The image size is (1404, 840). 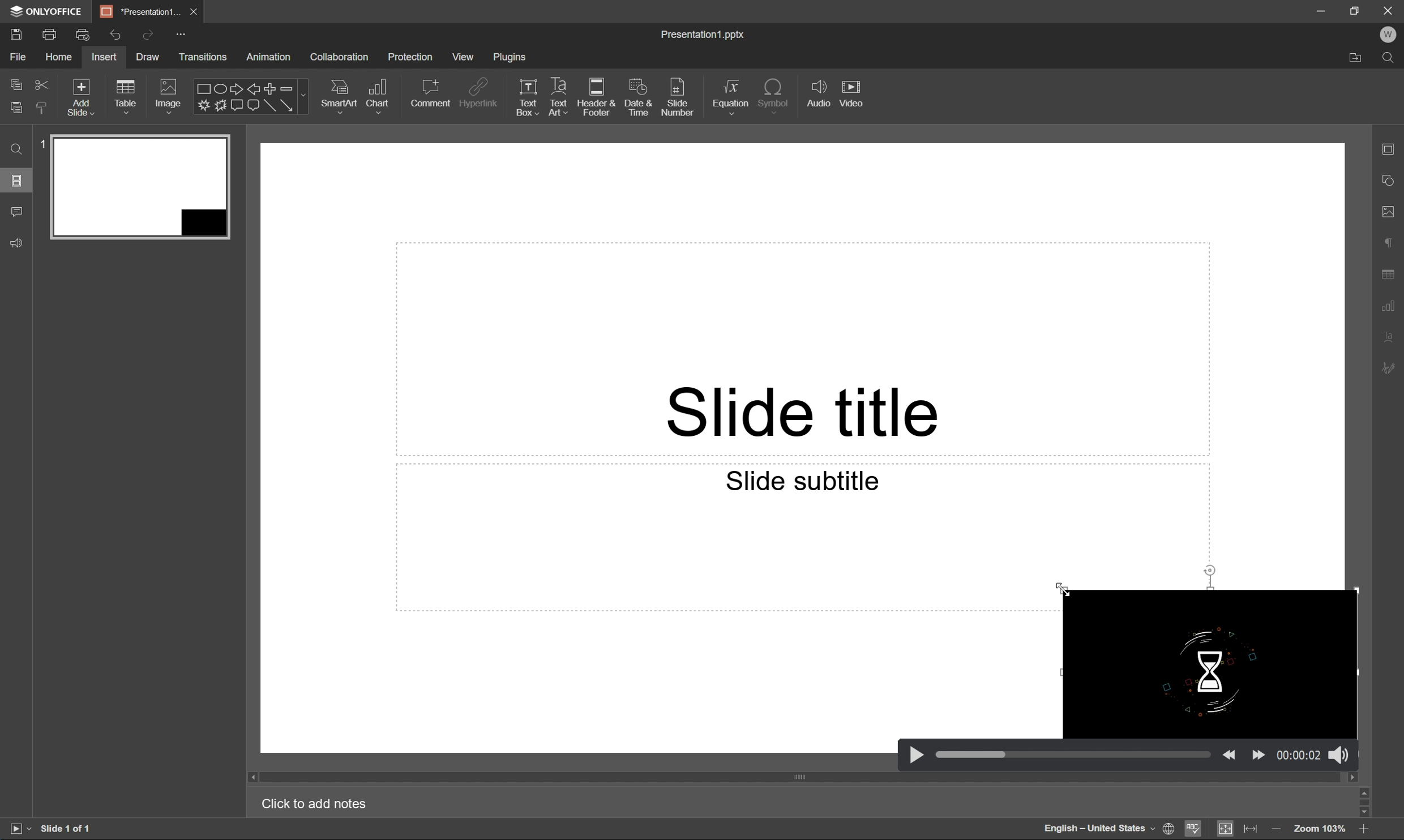 What do you see at coordinates (803, 478) in the screenshot?
I see `Slide subtitle` at bounding box center [803, 478].